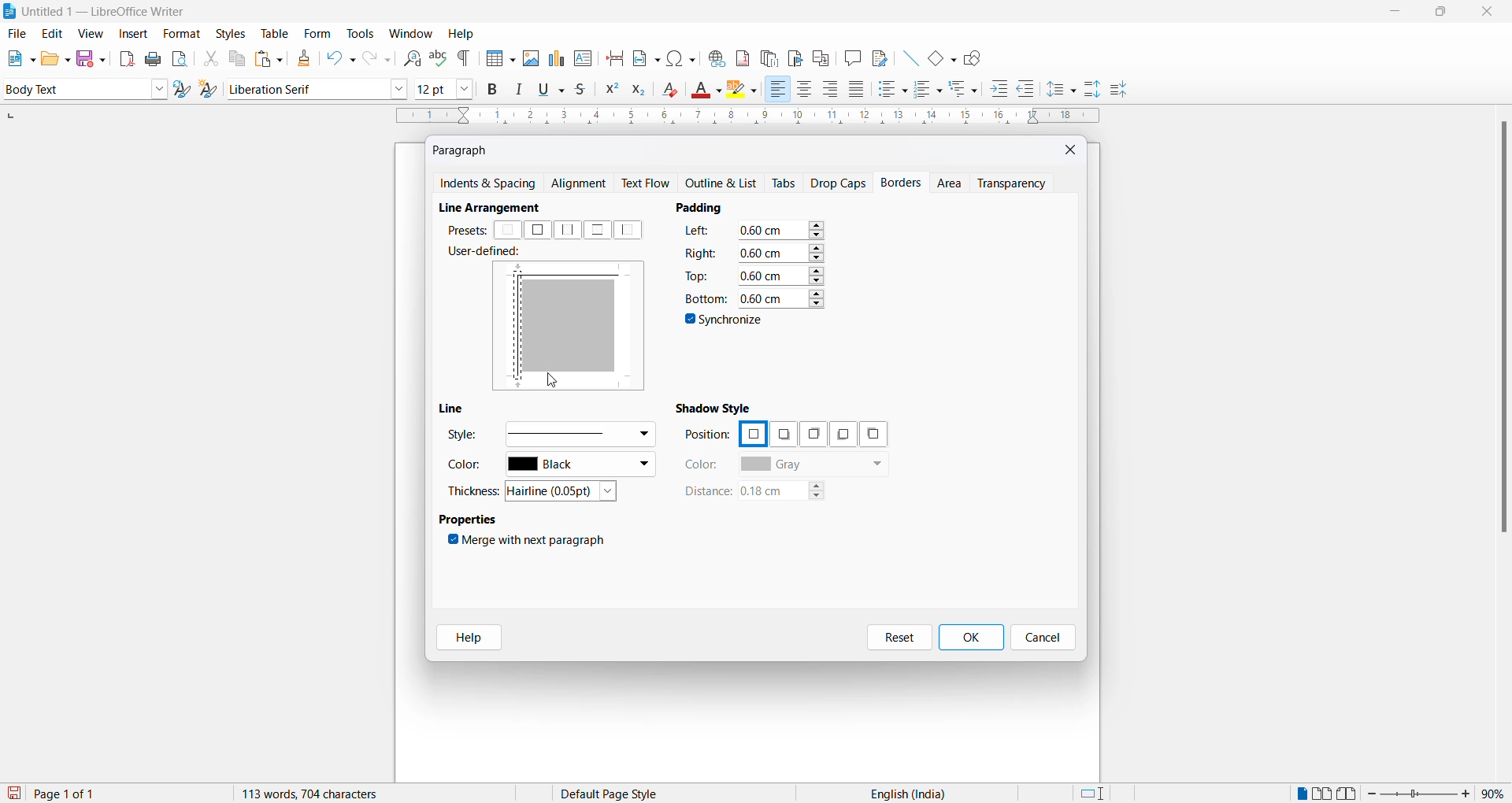 The height and width of the screenshot is (803, 1512). I want to click on font name options, so click(399, 88).